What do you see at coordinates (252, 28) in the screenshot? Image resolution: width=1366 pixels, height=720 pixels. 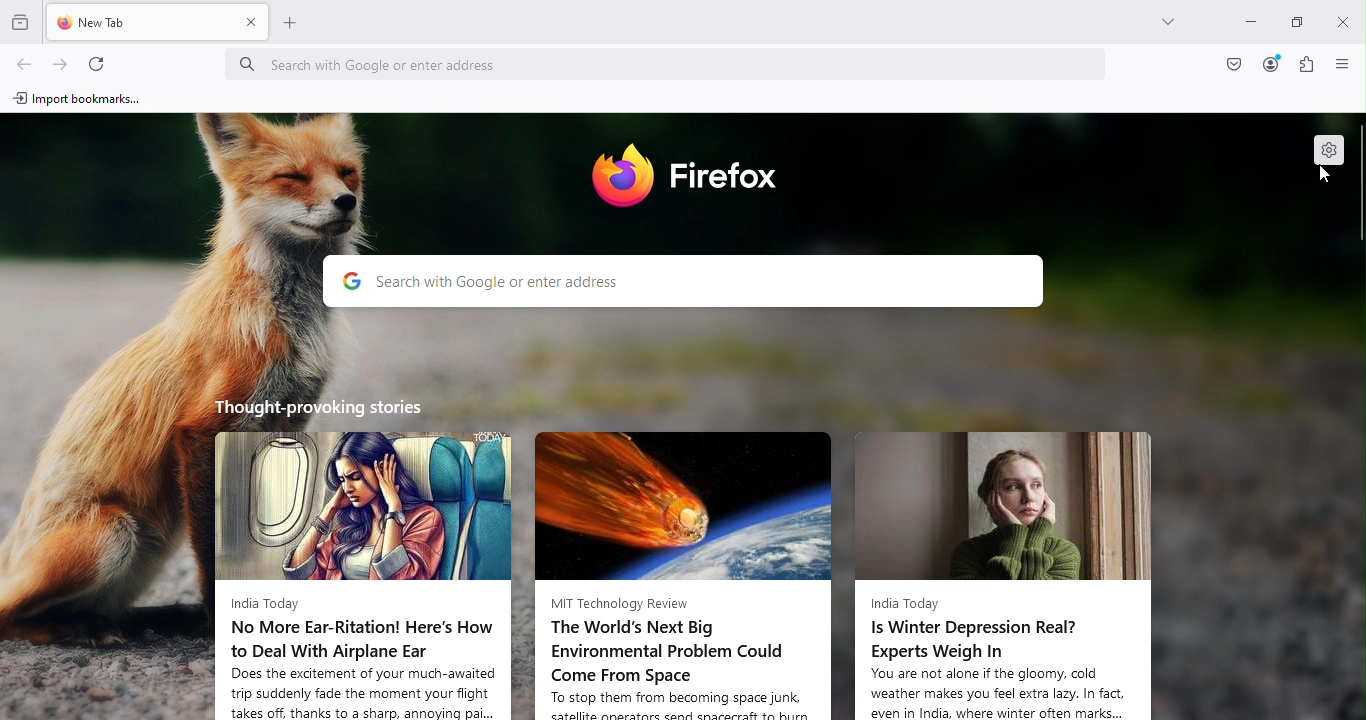 I see `Close tab` at bounding box center [252, 28].